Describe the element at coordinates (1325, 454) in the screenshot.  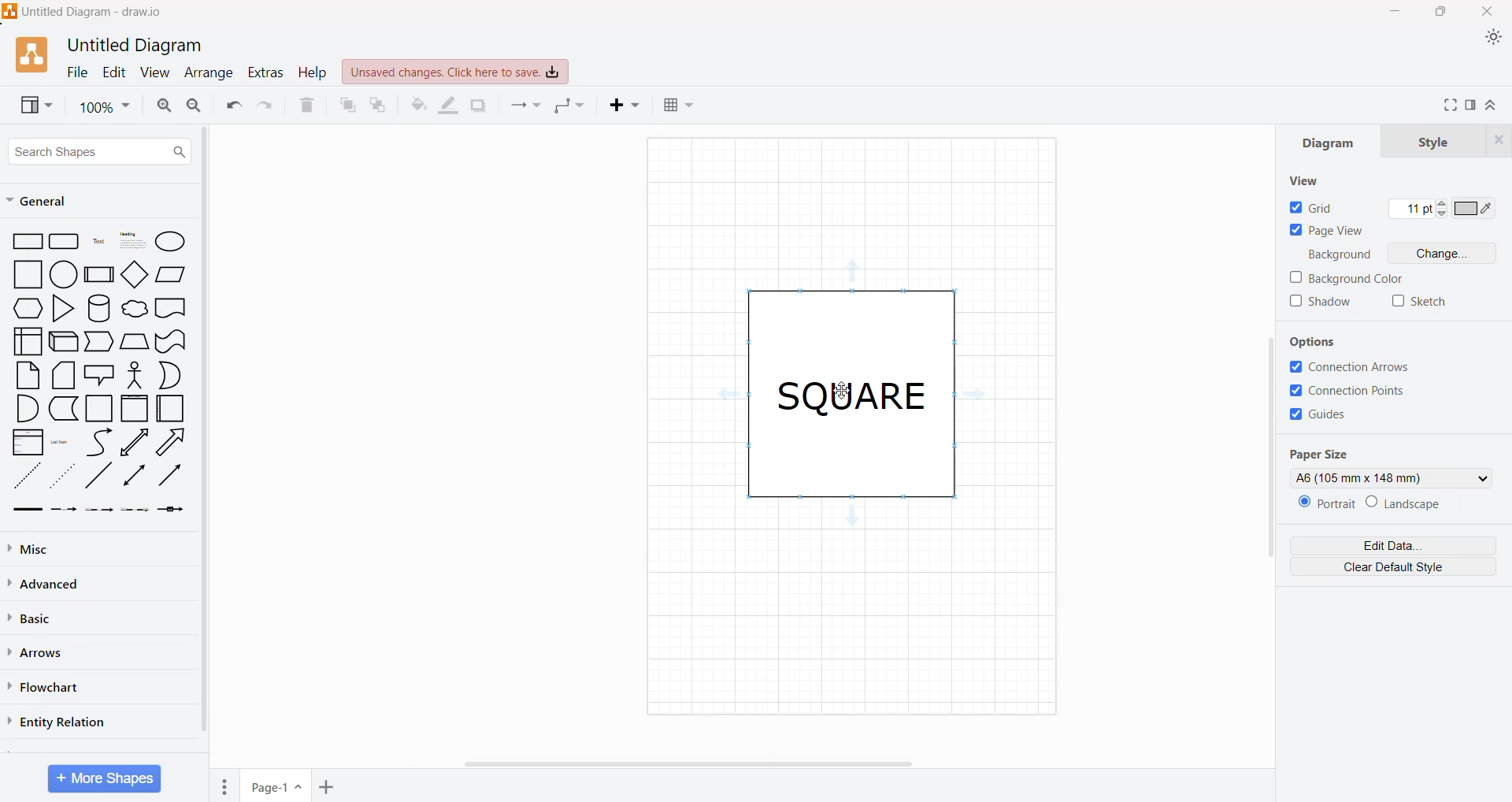
I see `Page Size` at that location.